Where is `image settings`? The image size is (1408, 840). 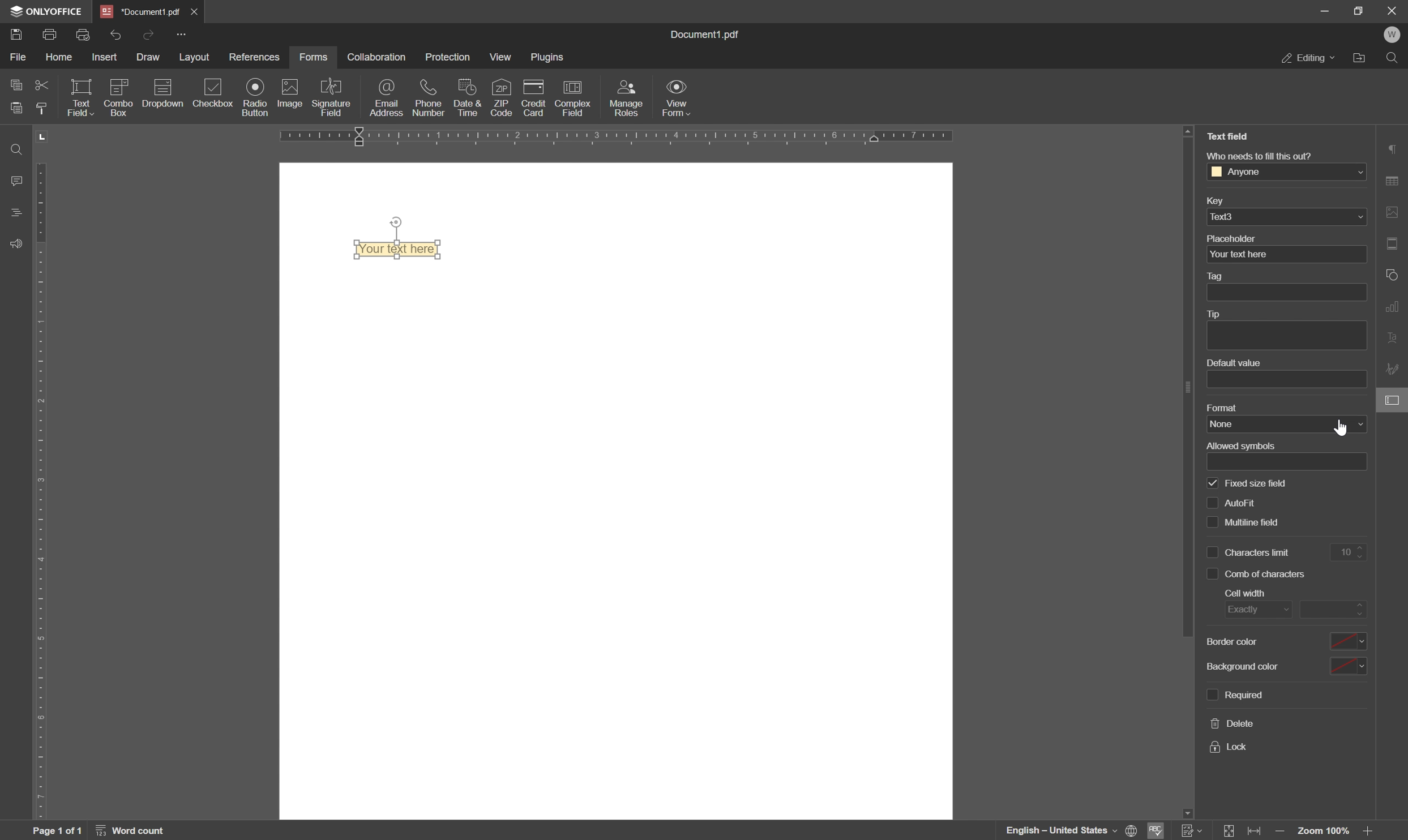
image settings is located at coordinates (1395, 212).